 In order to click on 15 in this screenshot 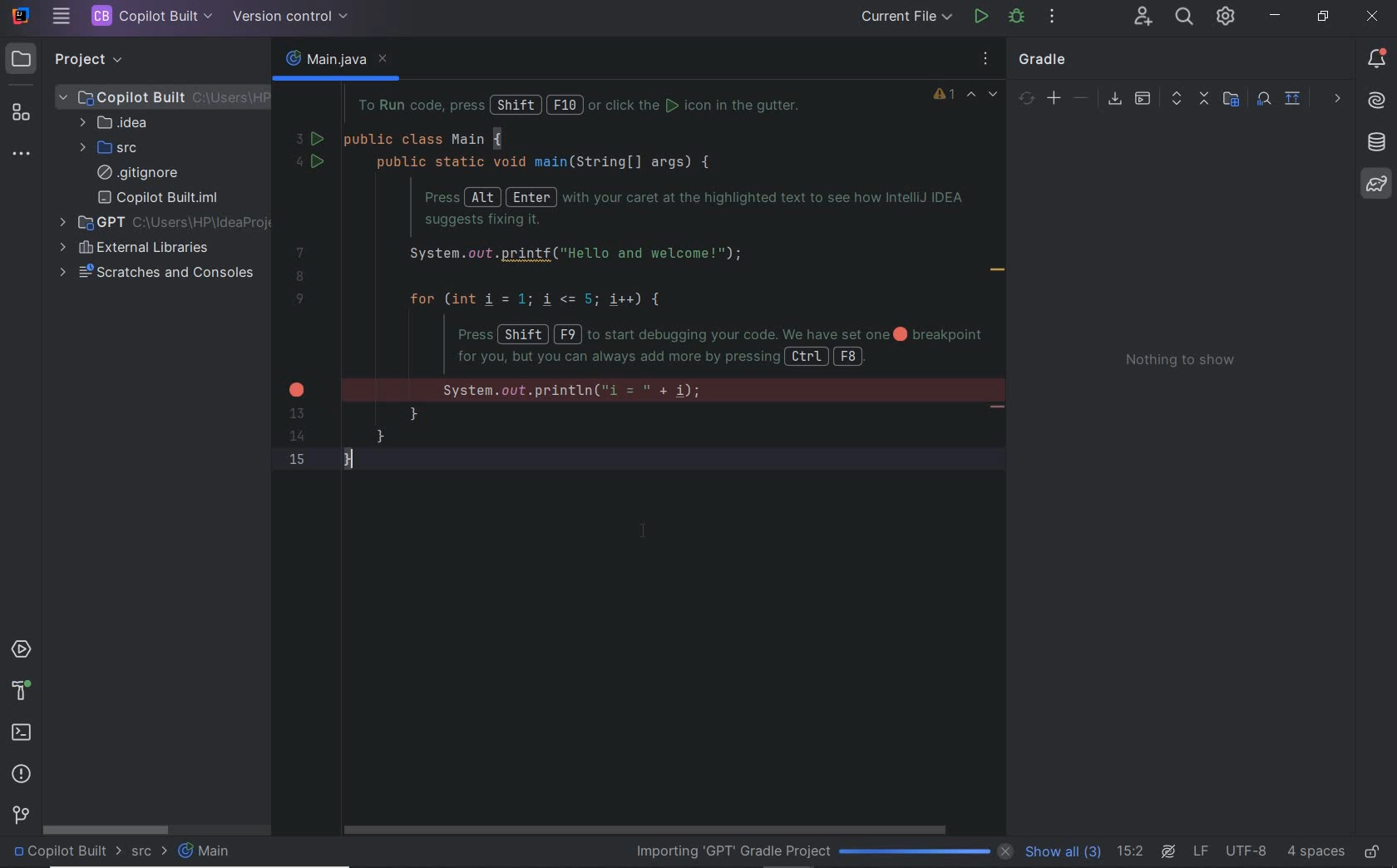, I will do `click(298, 459)`.